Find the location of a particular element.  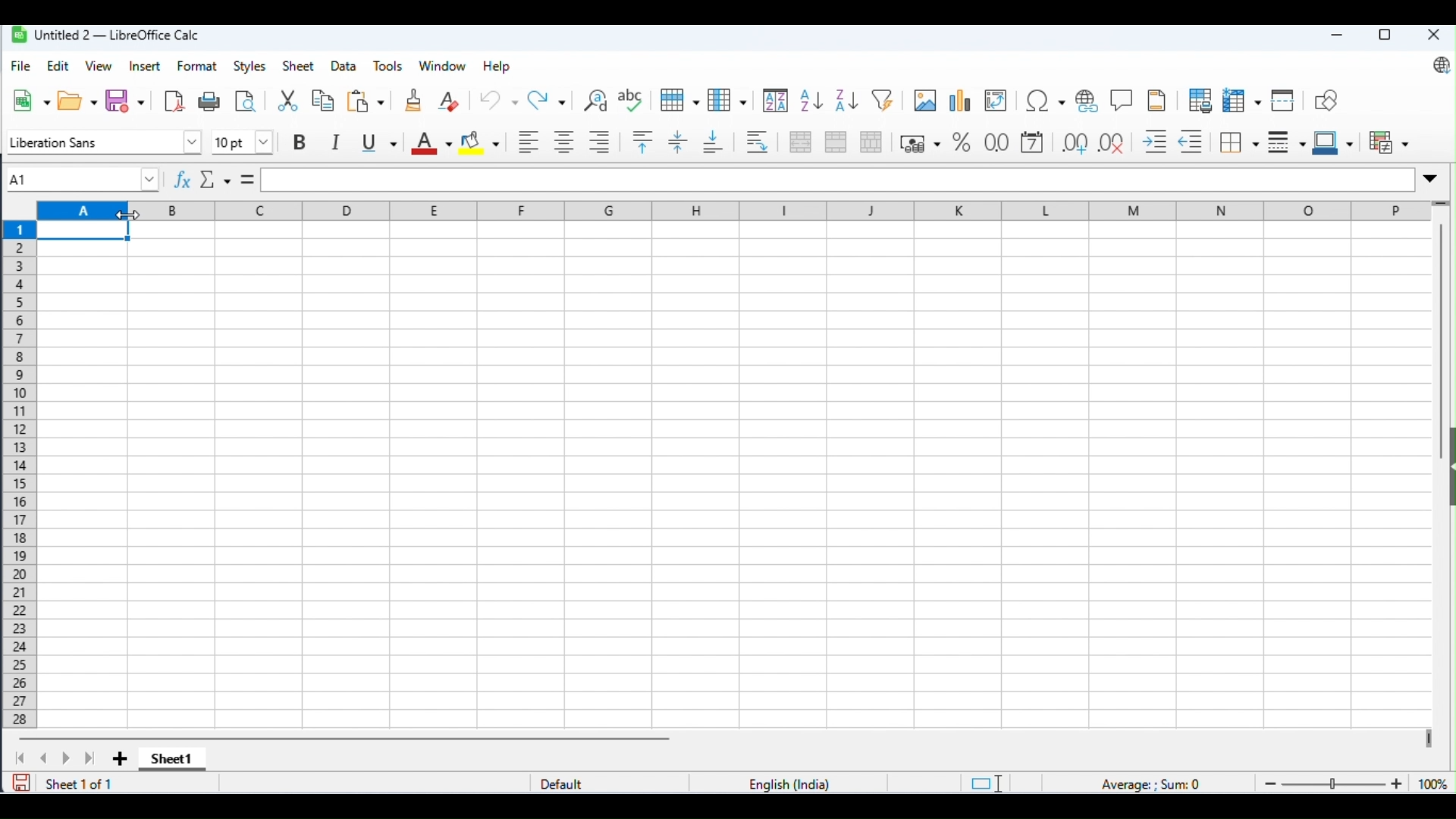

font style is located at coordinates (101, 143).